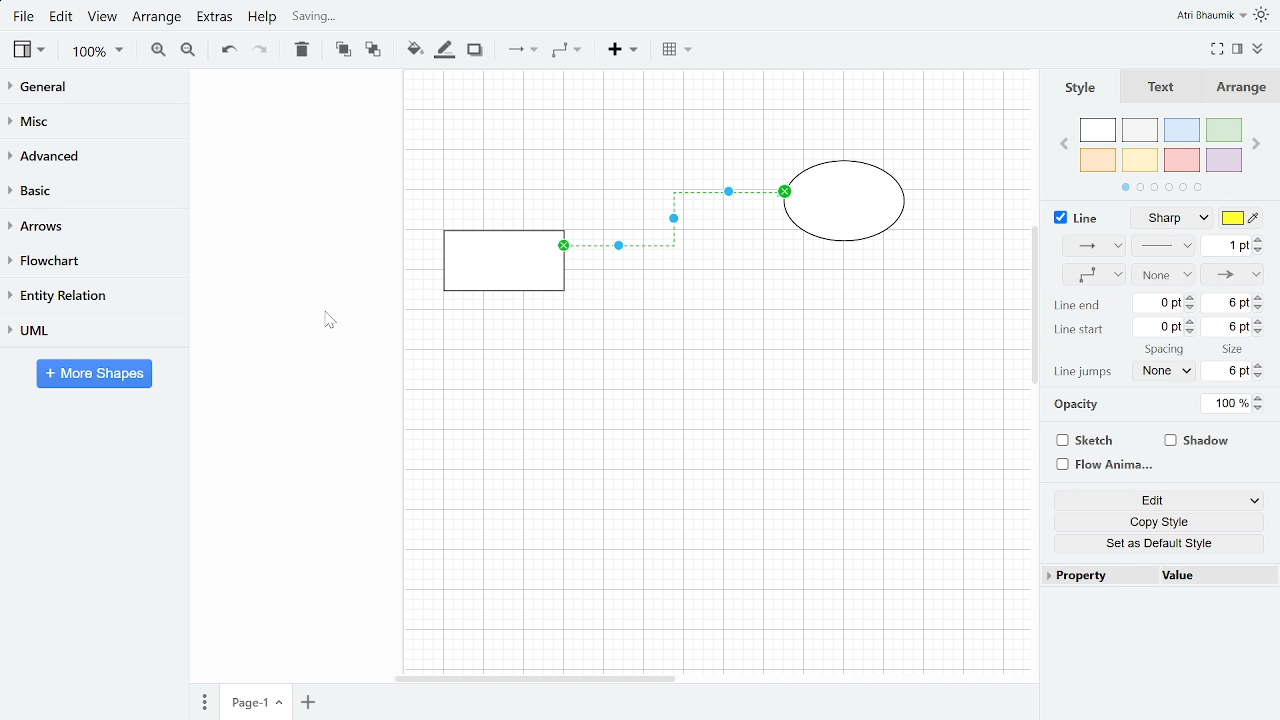 The height and width of the screenshot is (720, 1280). I want to click on Current page, so click(254, 703).